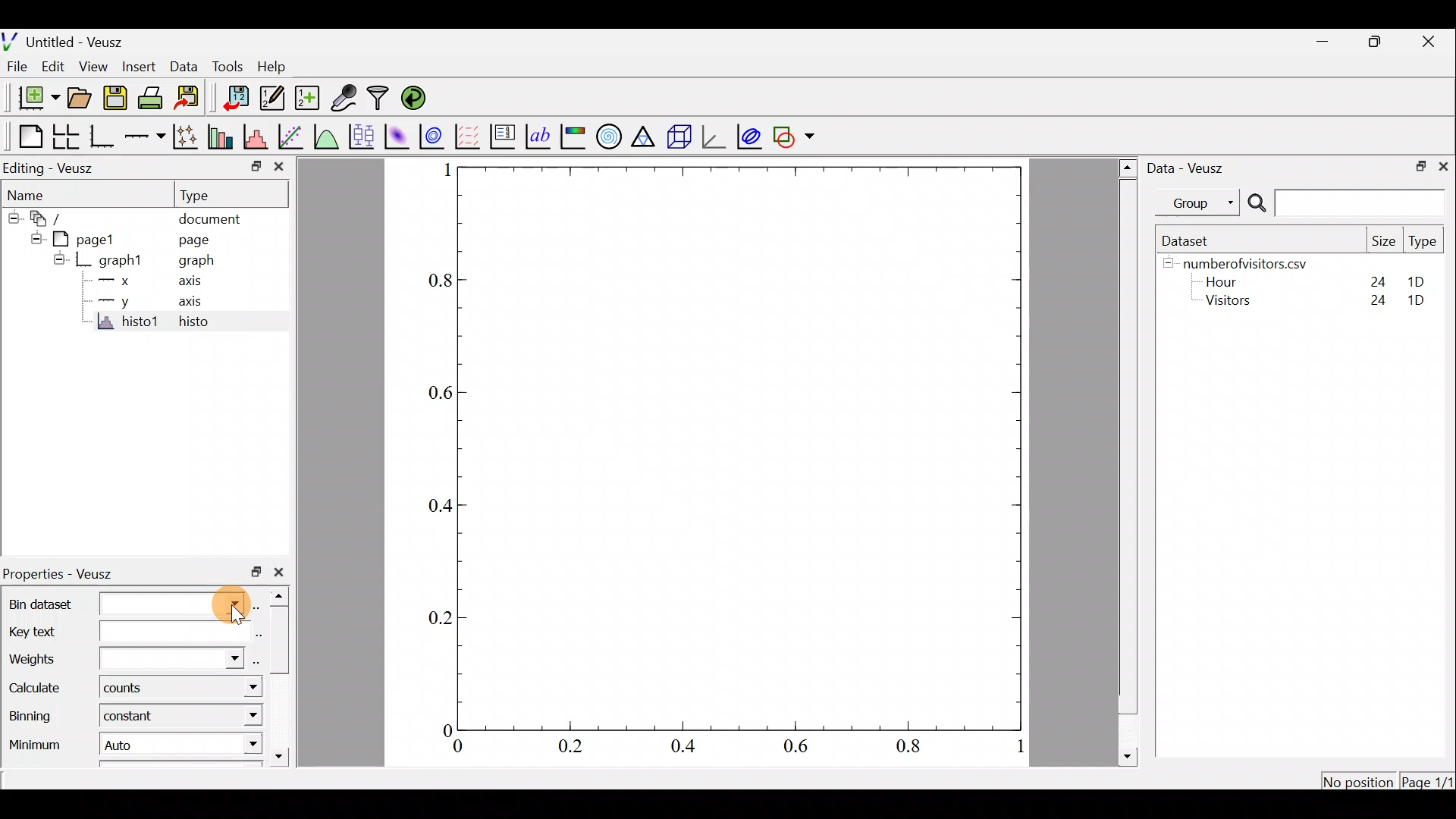 Image resolution: width=1456 pixels, height=819 pixels. I want to click on Insert, so click(140, 66).